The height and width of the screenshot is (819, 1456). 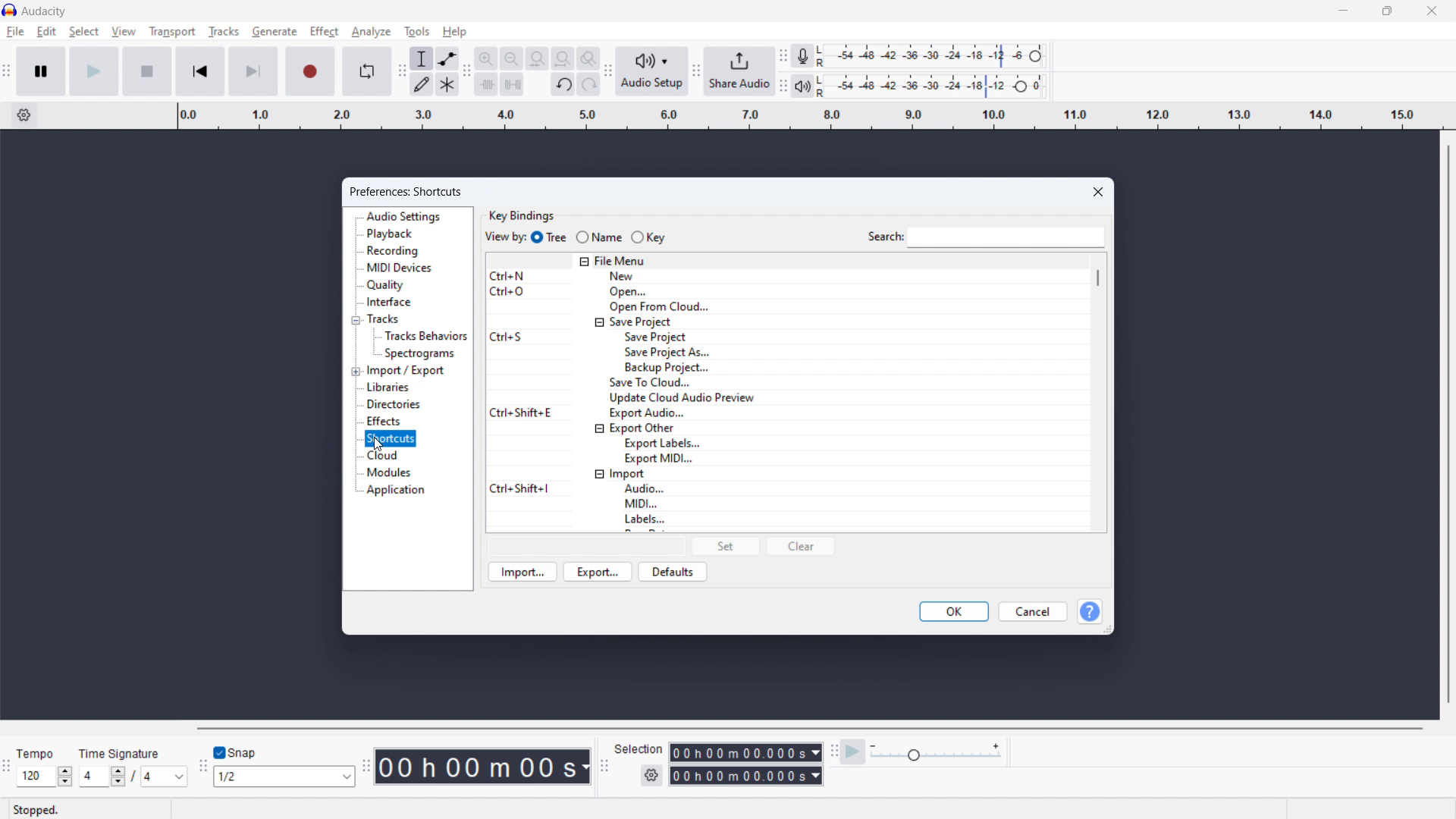 I want to click on Enables movement of time toolbar, so click(x=367, y=767).